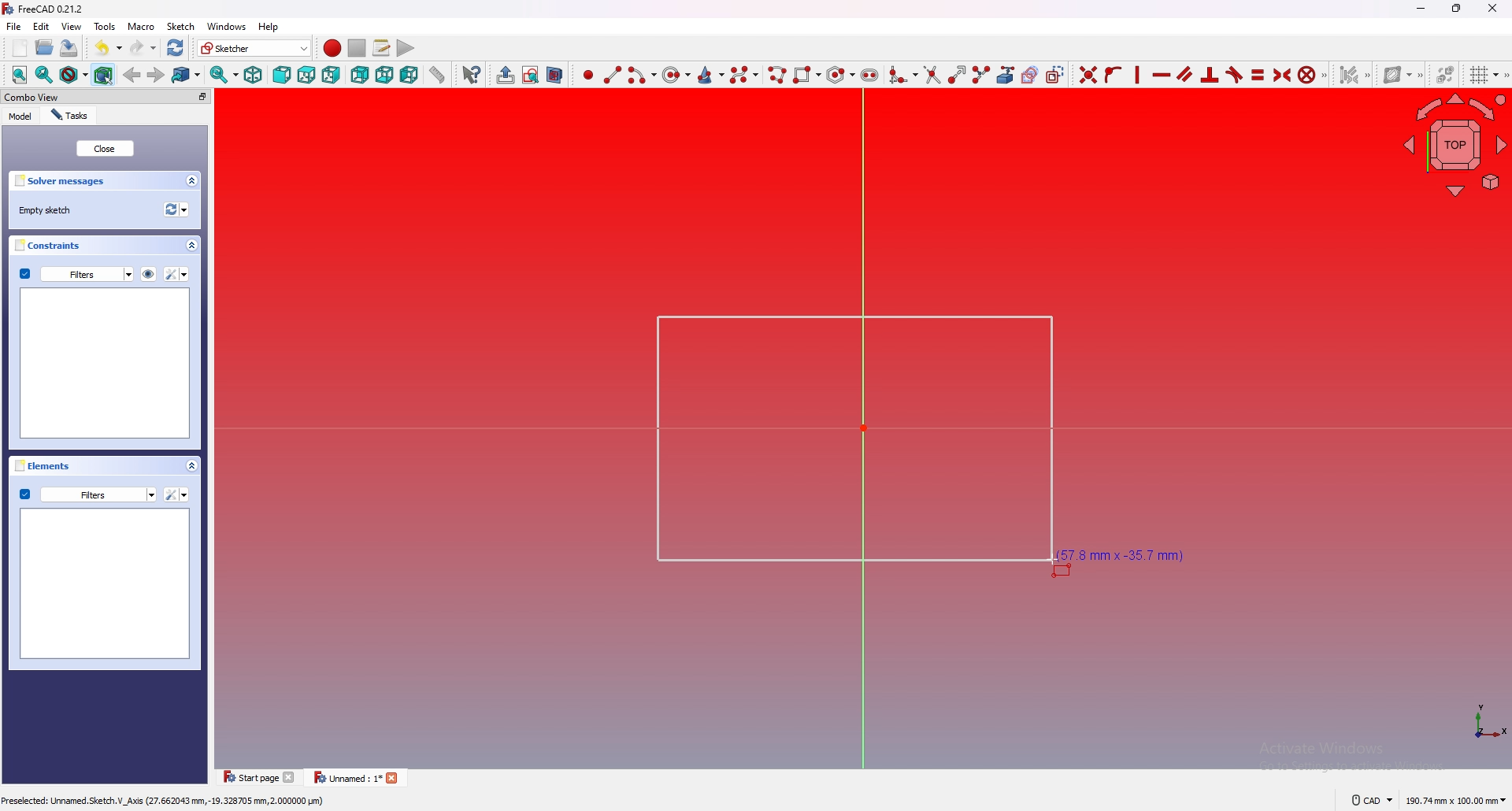  Describe the element at coordinates (643, 75) in the screenshot. I see `create arc` at that location.